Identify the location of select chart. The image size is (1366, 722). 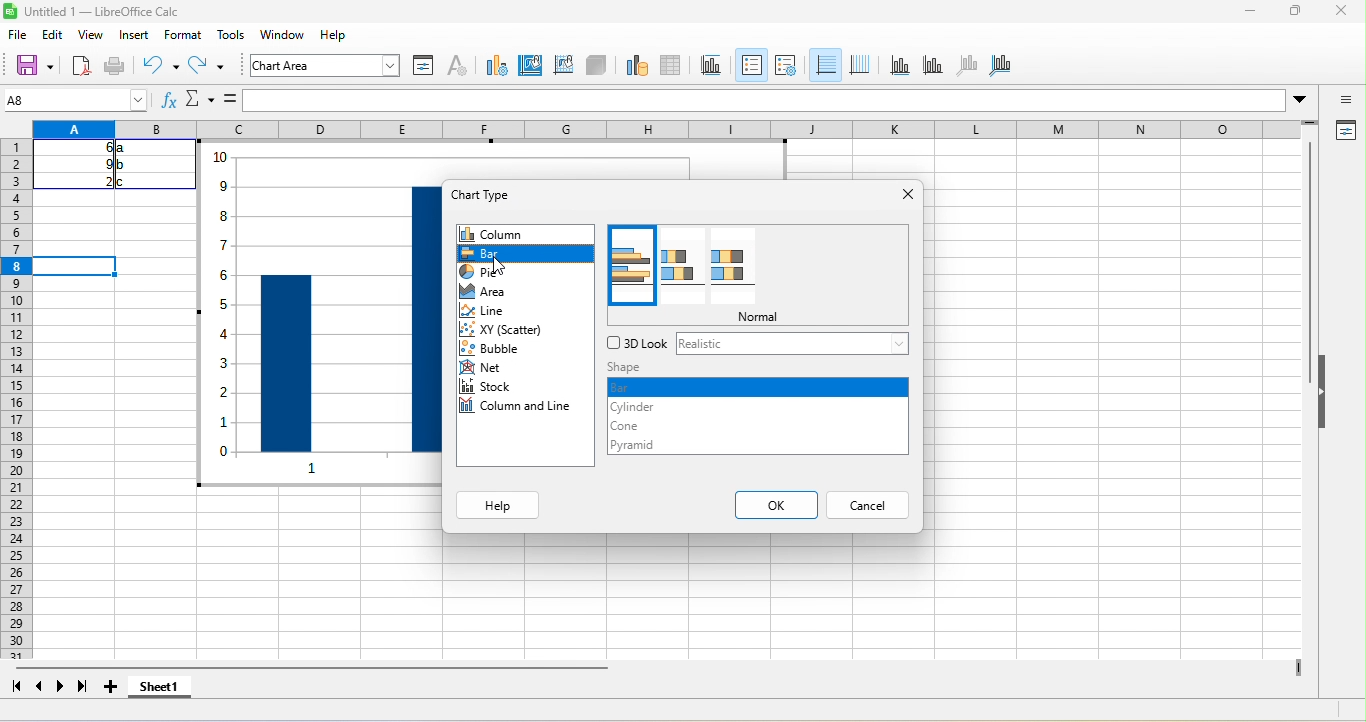
(496, 67).